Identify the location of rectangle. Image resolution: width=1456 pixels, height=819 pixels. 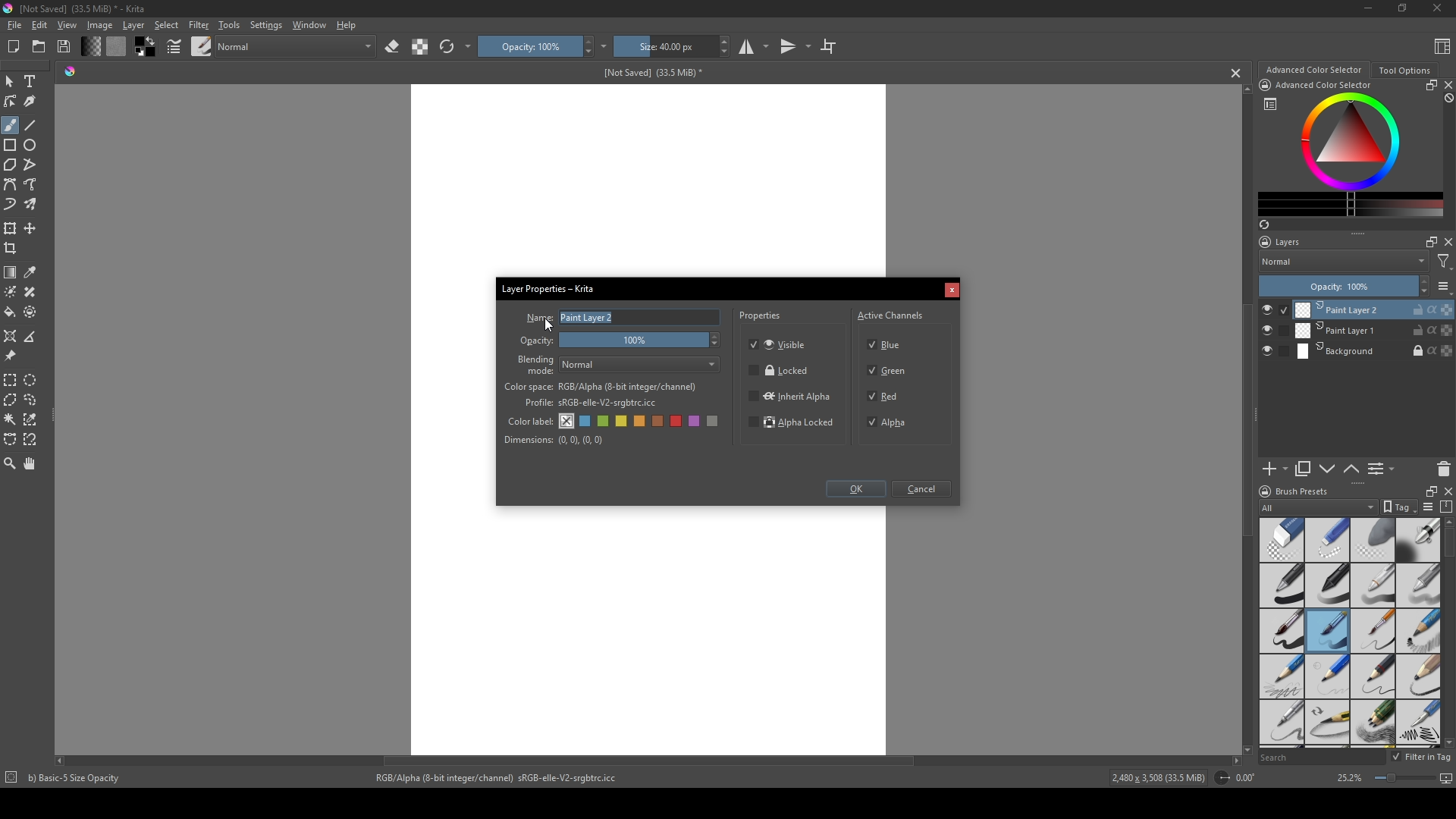
(11, 146).